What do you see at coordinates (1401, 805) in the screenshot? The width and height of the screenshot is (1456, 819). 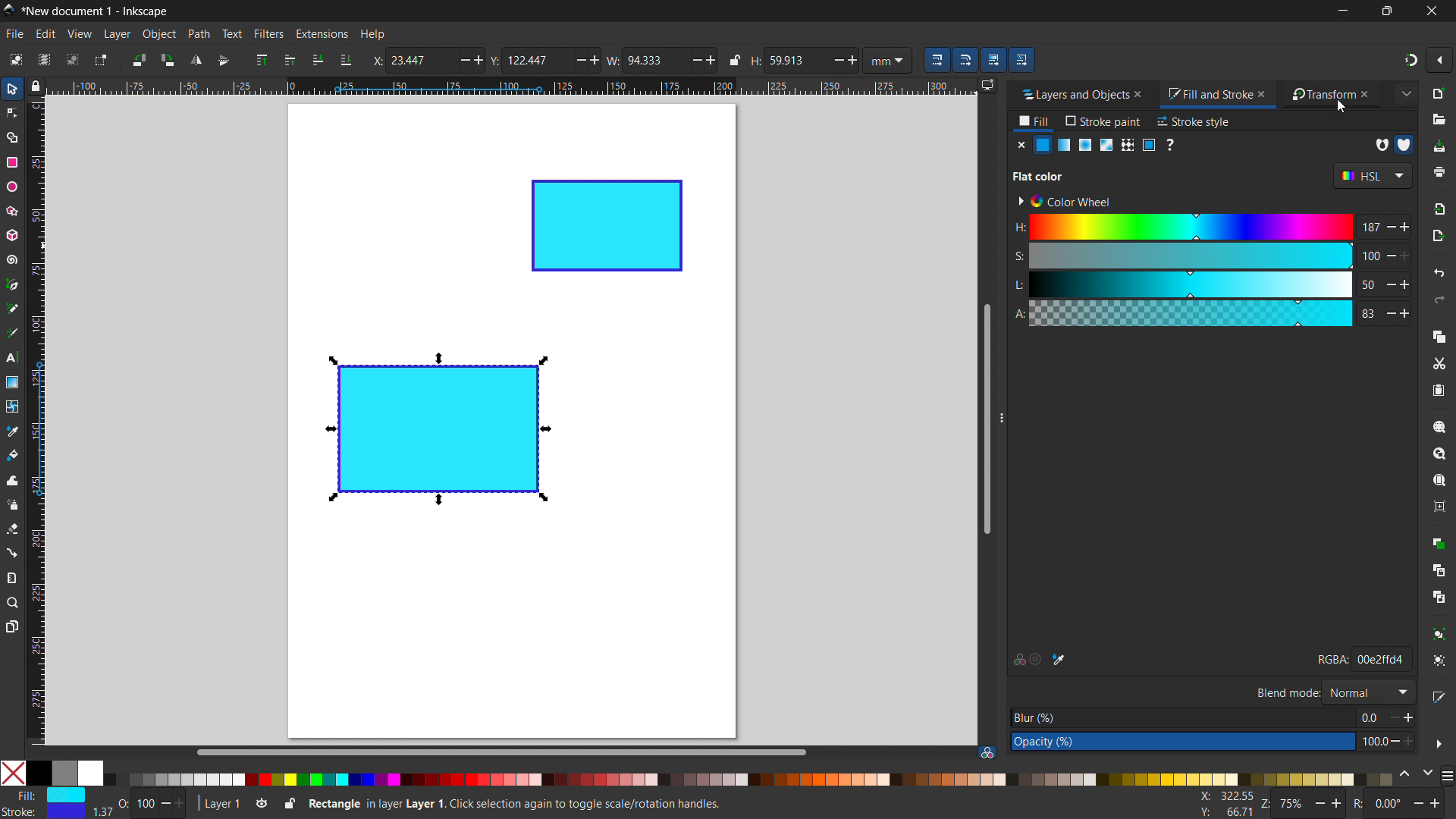 I see `R: 0.00` at bounding box center [1401, 805].